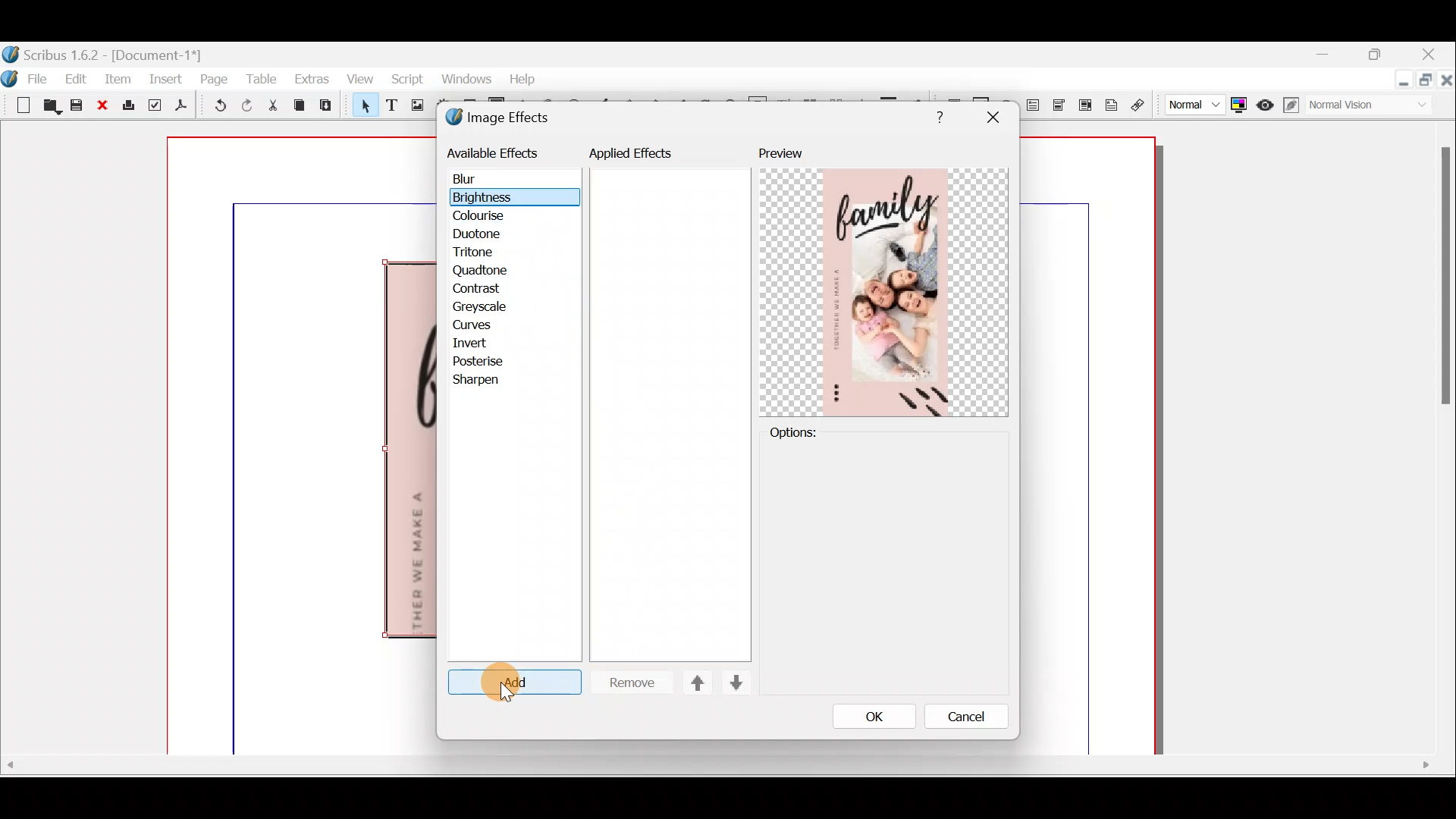  I want to click on Tritone, so click(480, 254).